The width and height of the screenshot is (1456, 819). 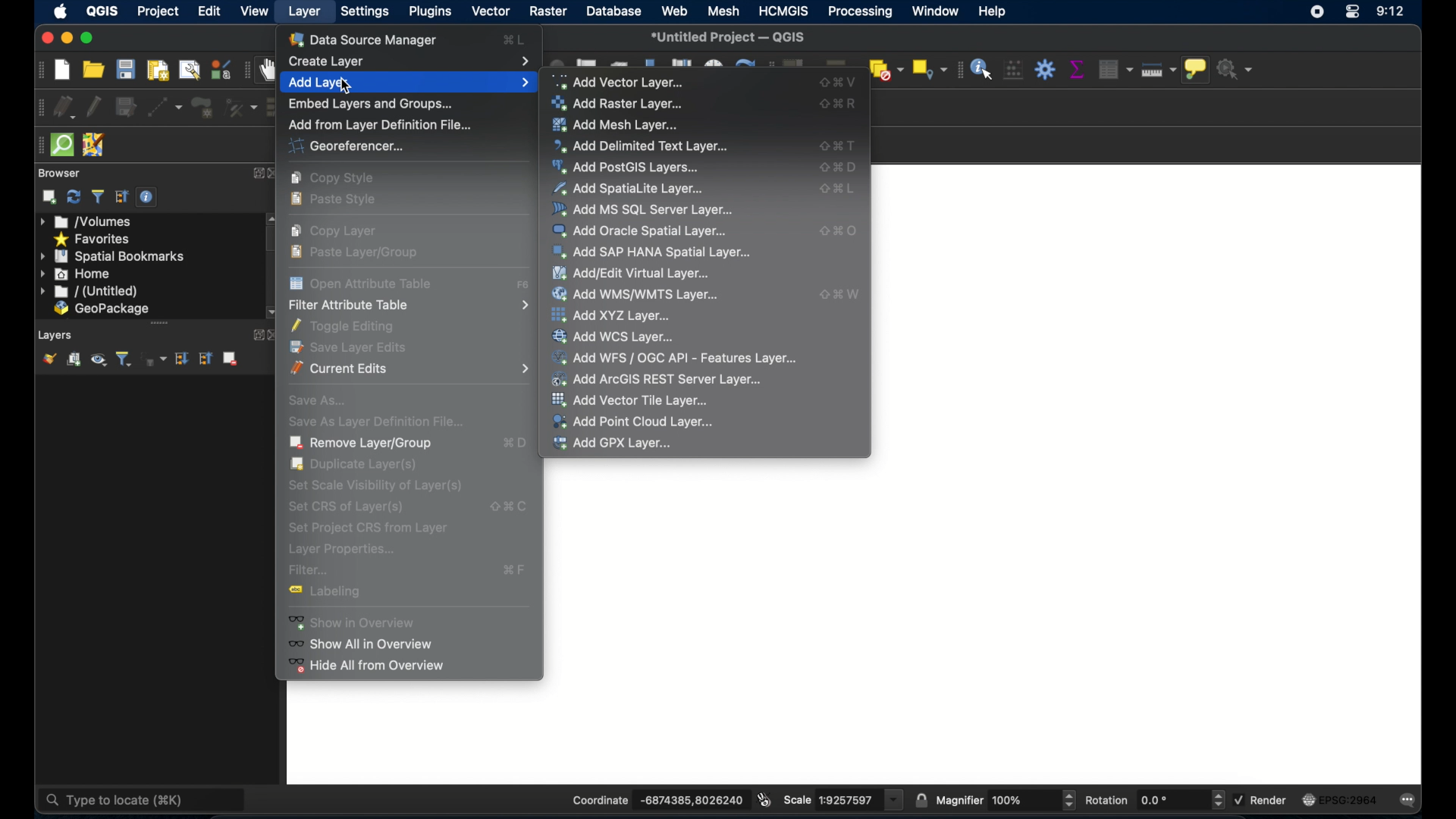 I want to click on Save Layer Edits, so click(x=354, y=349).